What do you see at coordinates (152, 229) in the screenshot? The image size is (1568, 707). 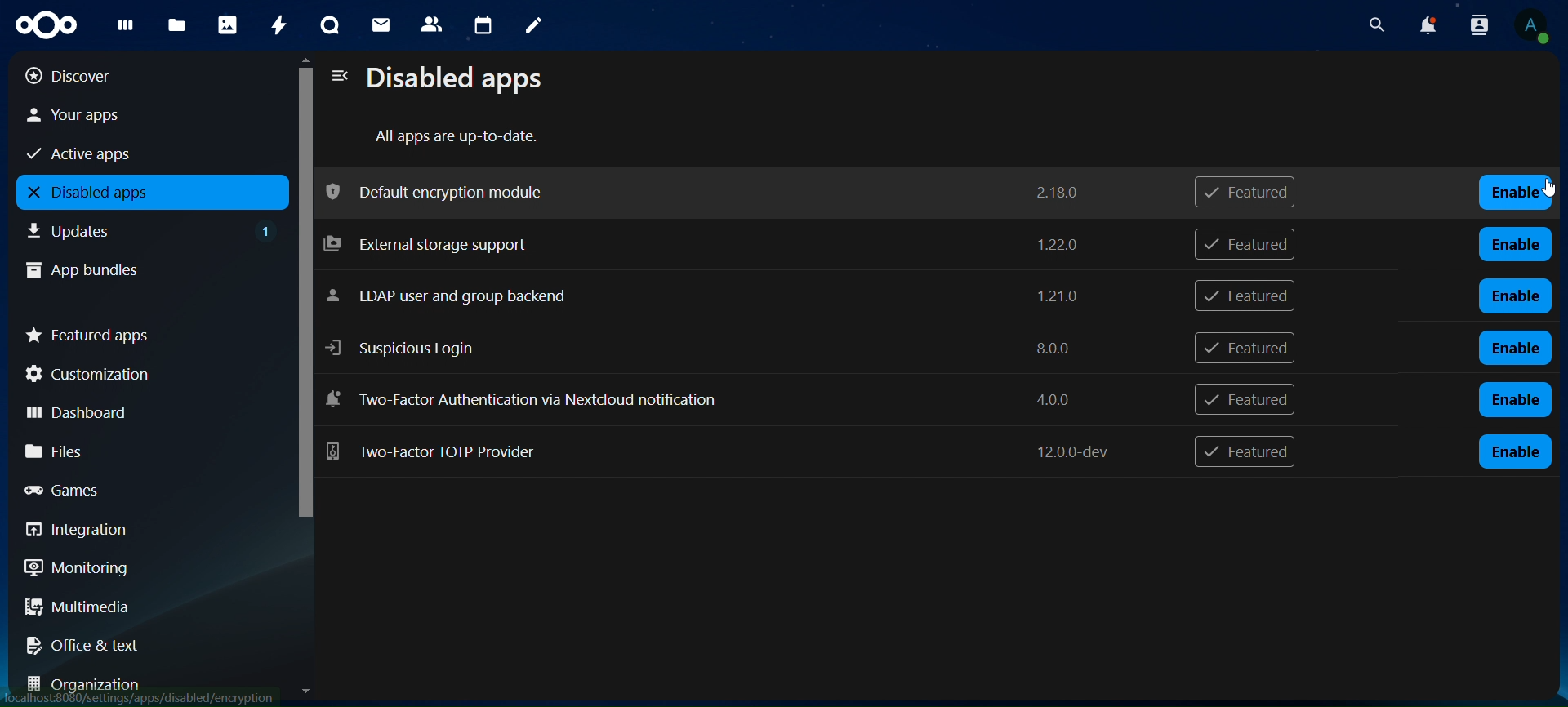 I see `updates` at bounding box center [152, 229].